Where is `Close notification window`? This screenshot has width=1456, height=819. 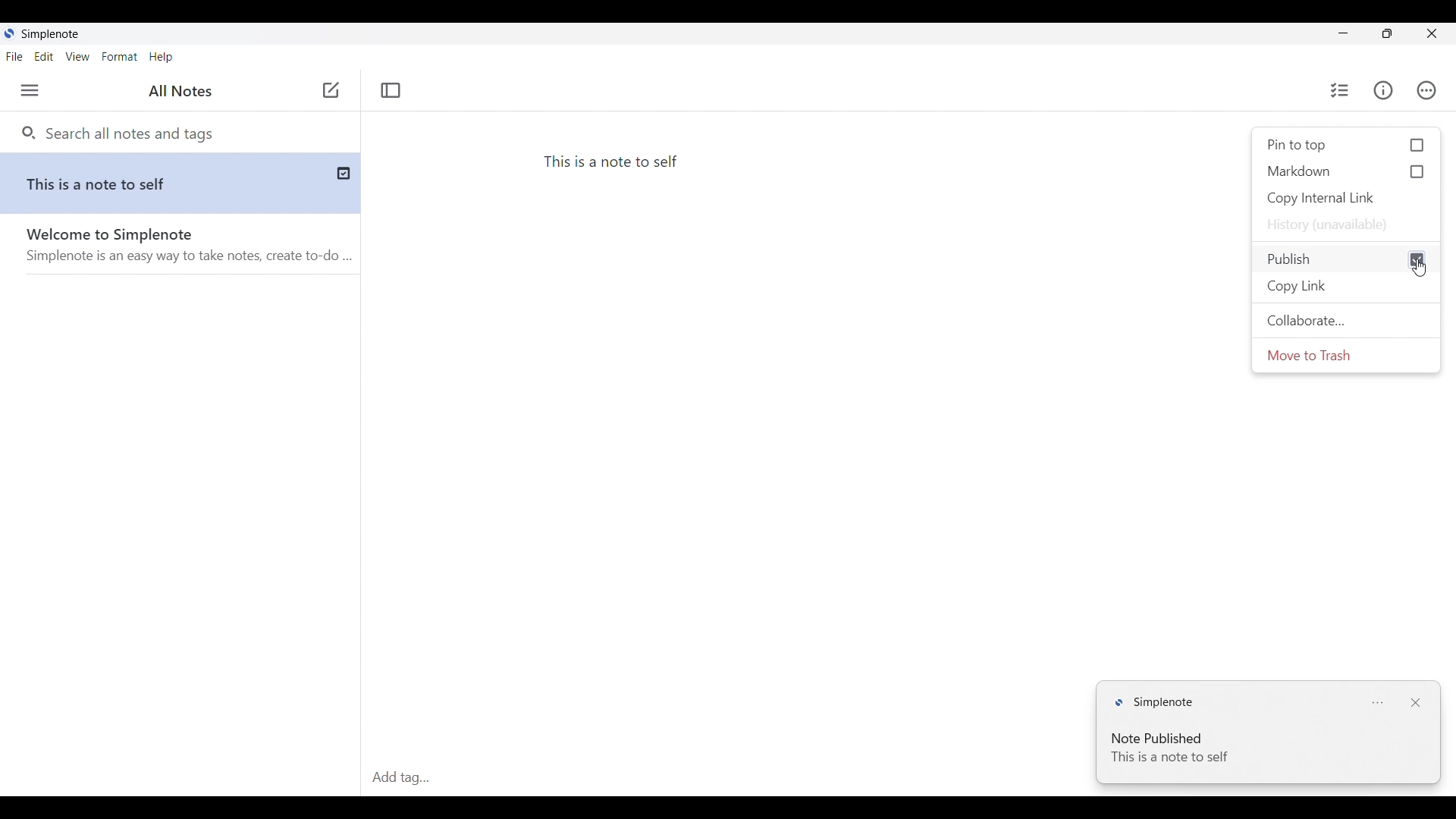 Close notification window is located at coordinates (1416, 703).